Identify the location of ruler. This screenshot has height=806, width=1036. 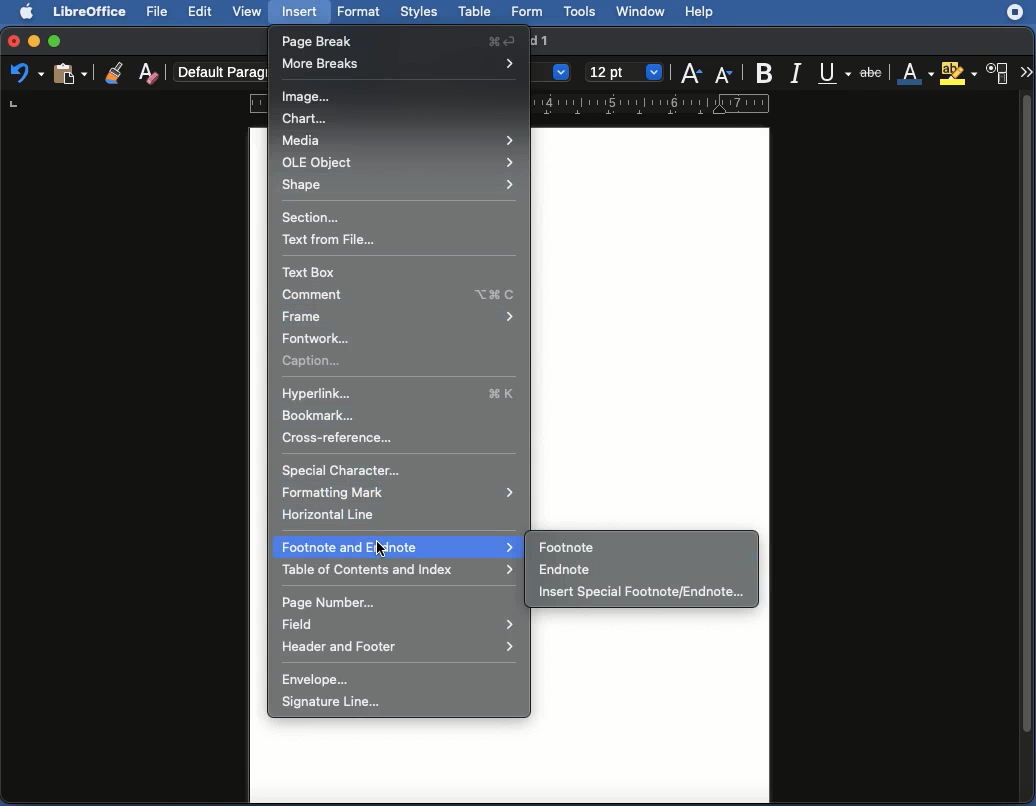
(660, 107).